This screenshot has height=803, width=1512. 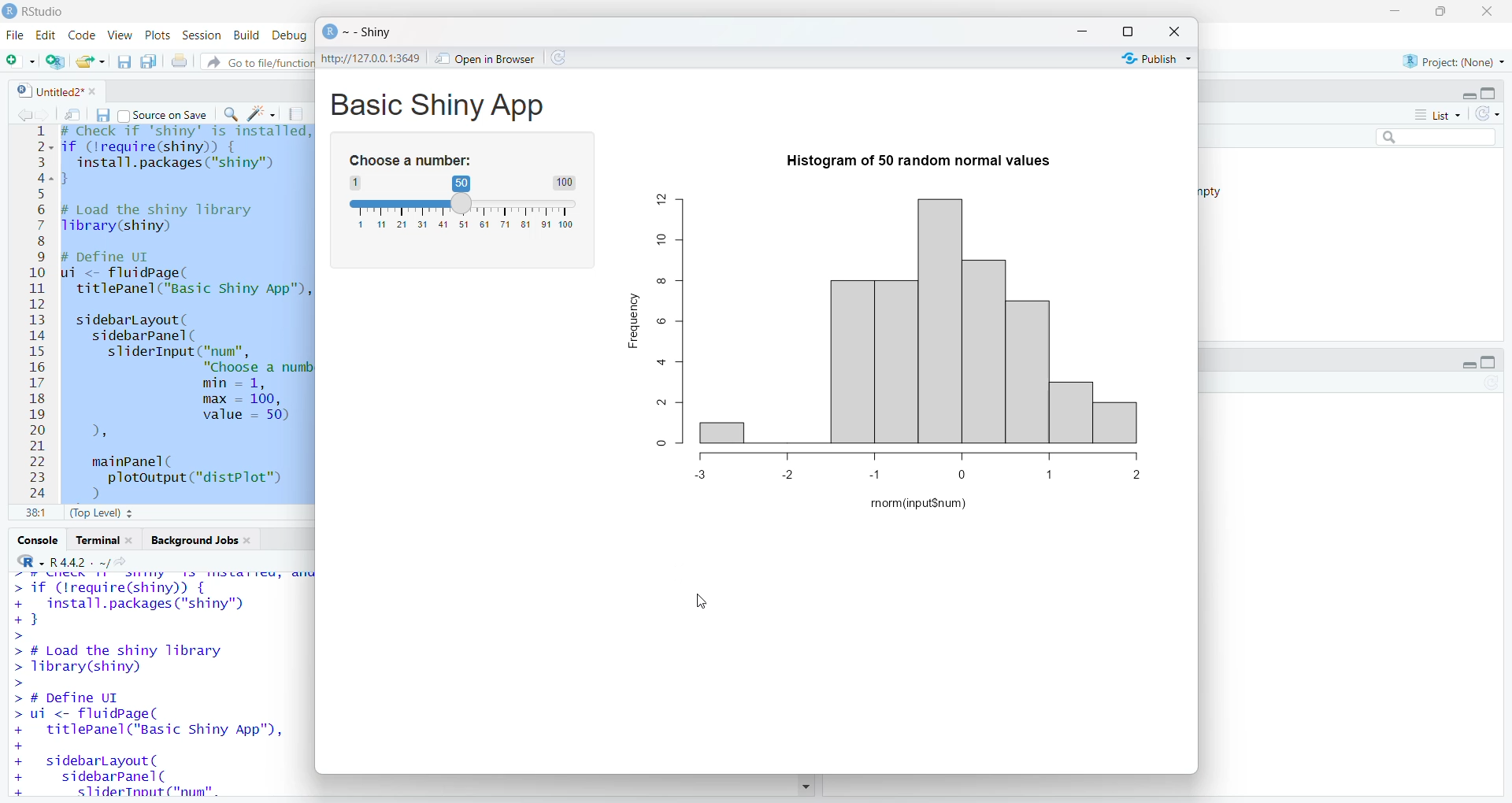 I want to click on Background Jobs, so click(x=192, y=540).